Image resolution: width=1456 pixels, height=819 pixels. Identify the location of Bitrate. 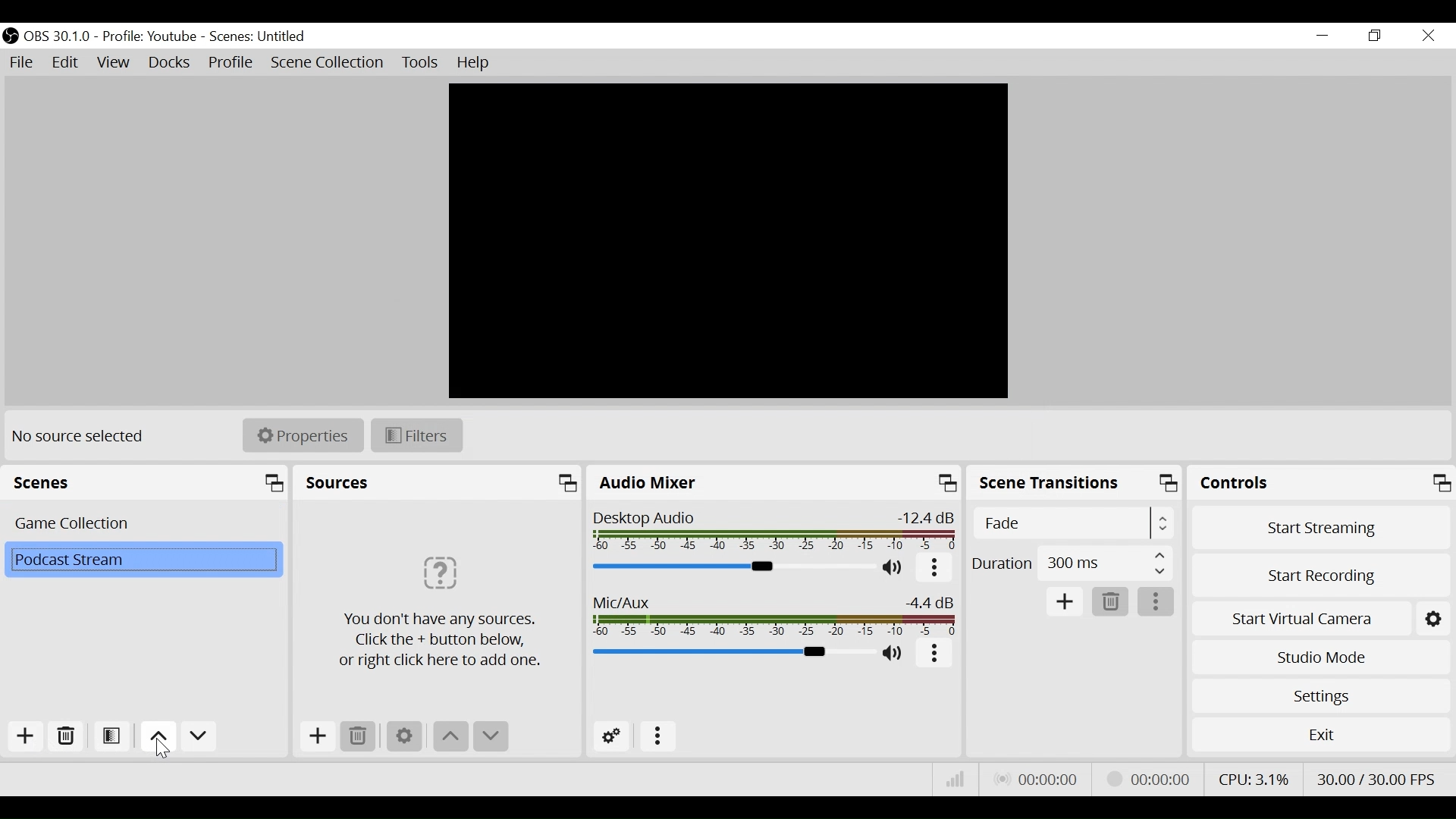
(954, 778).